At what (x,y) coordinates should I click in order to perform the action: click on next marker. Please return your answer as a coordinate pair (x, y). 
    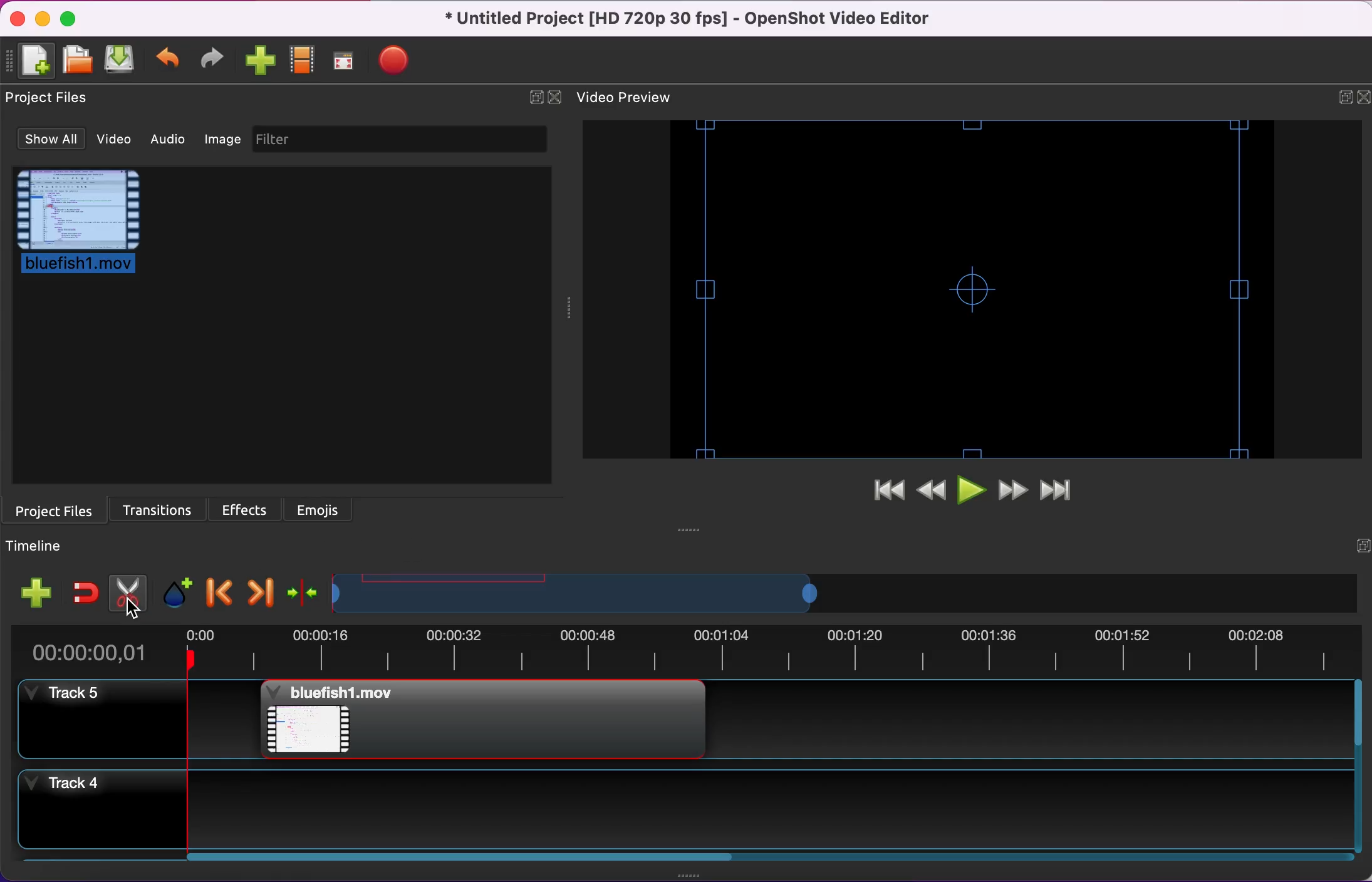
    Looking at the image, I should click on (257, 590).